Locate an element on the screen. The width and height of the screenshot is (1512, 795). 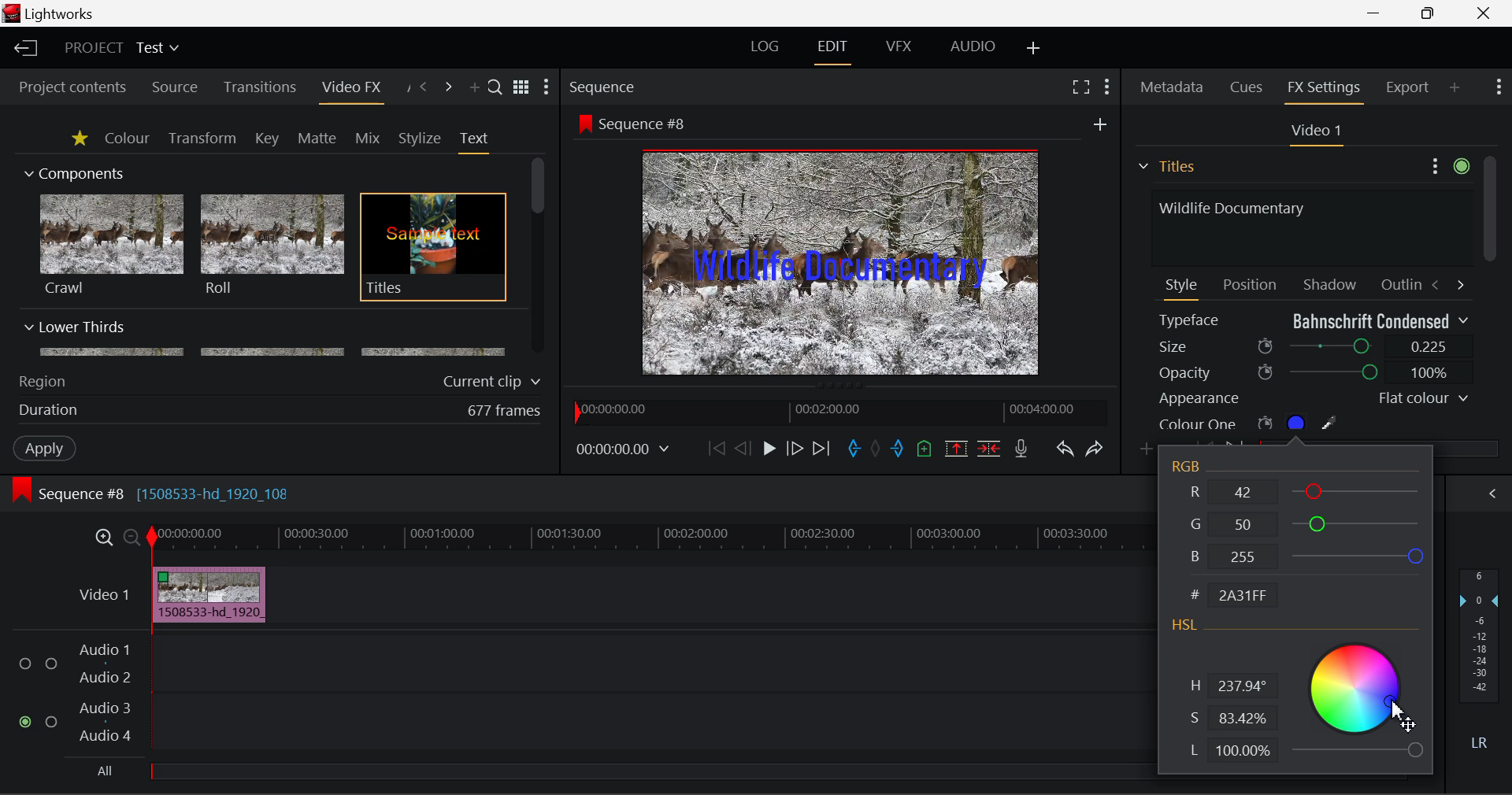
Audio Input is located at coordinates (647, 695).